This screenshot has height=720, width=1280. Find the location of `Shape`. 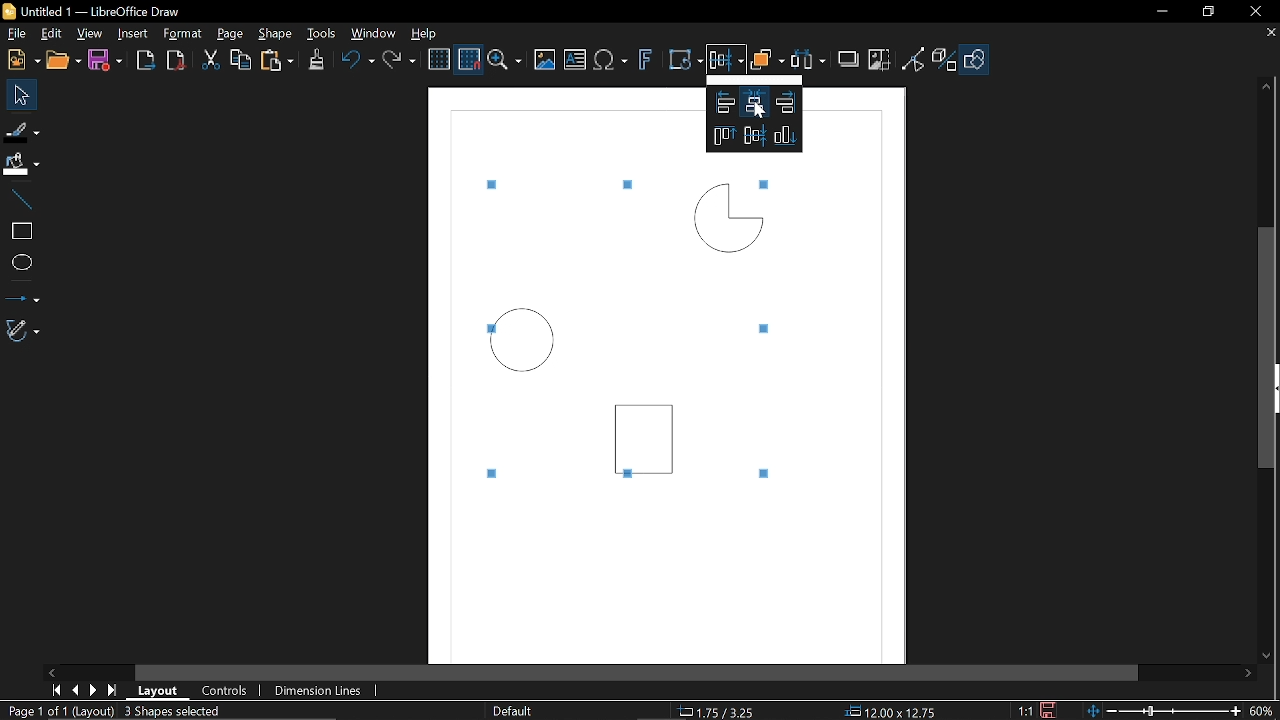

Shape is located at coordinates (275, 34).